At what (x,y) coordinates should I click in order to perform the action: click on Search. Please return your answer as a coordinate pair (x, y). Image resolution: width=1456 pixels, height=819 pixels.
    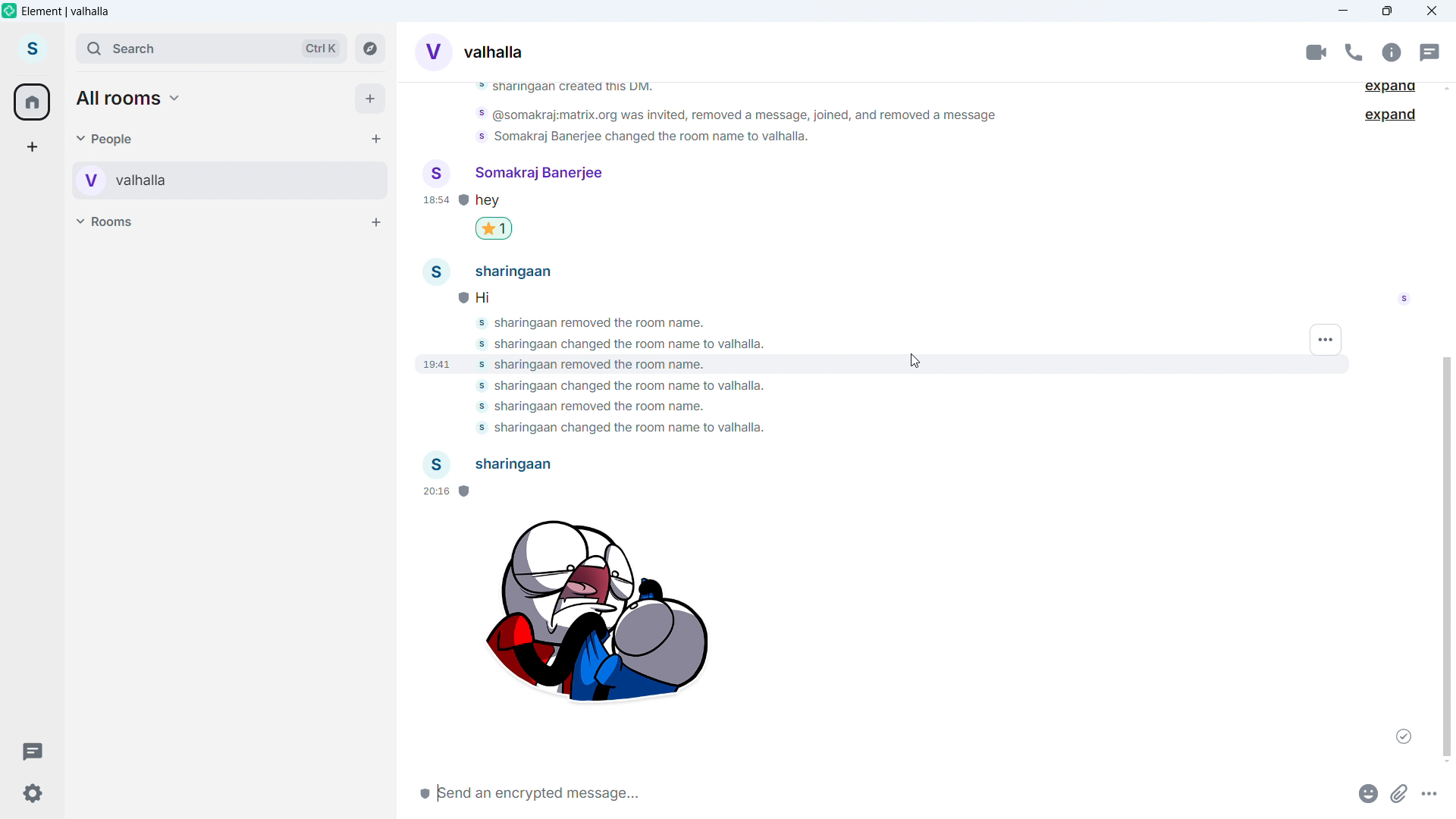
    Looking at the image, I should click on (211, 49).